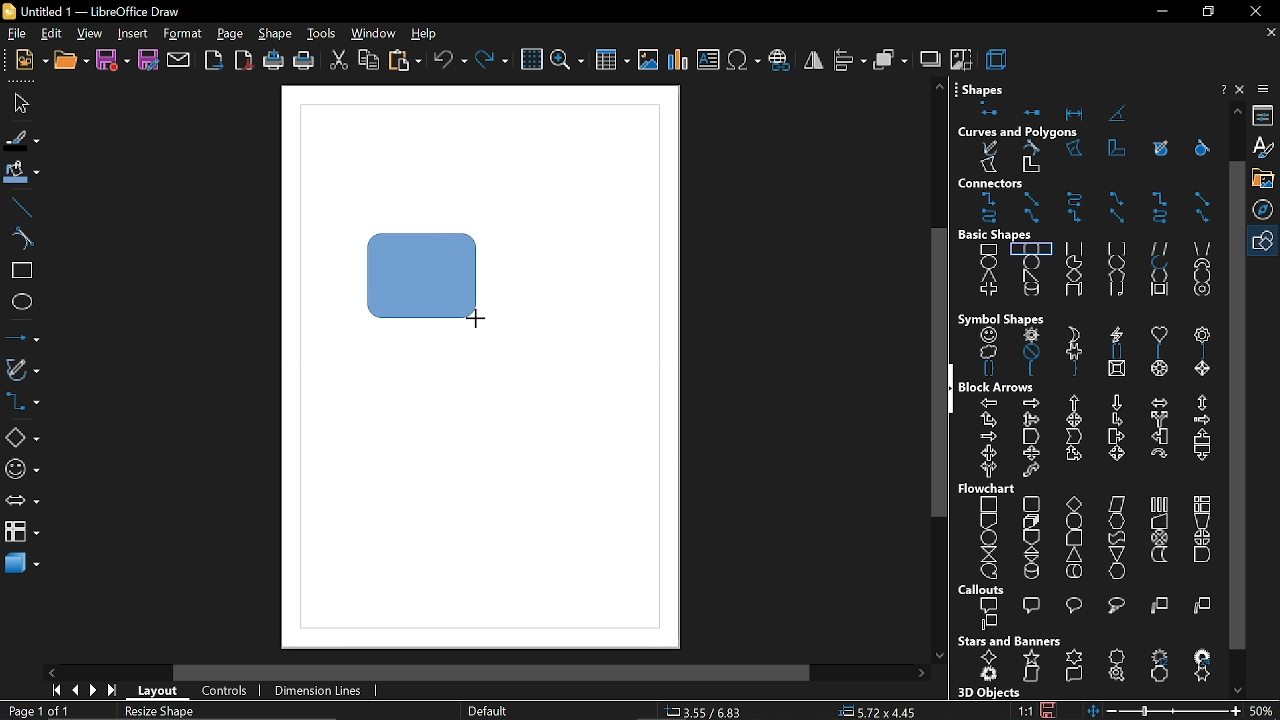 This screenshot has height=720, width=1280. What do you see at coordinates (1221, 90) in the screenshot?
I see `help` at bounding box center [1221, 90].